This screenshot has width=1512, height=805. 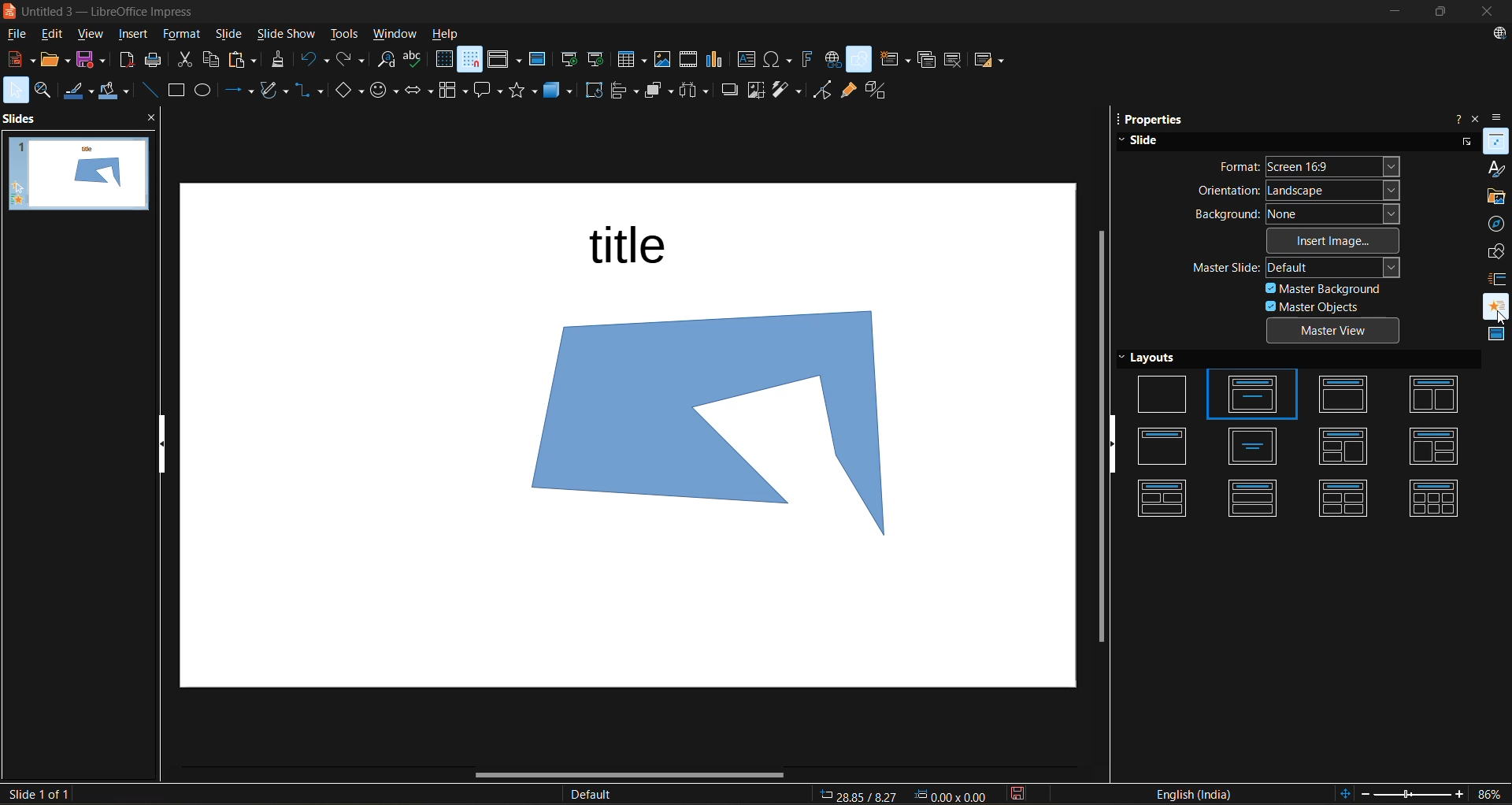 What do you see at coordinates (561, 91) in the screenshot?
I see `3d objects` at bounding box center [561, 91].